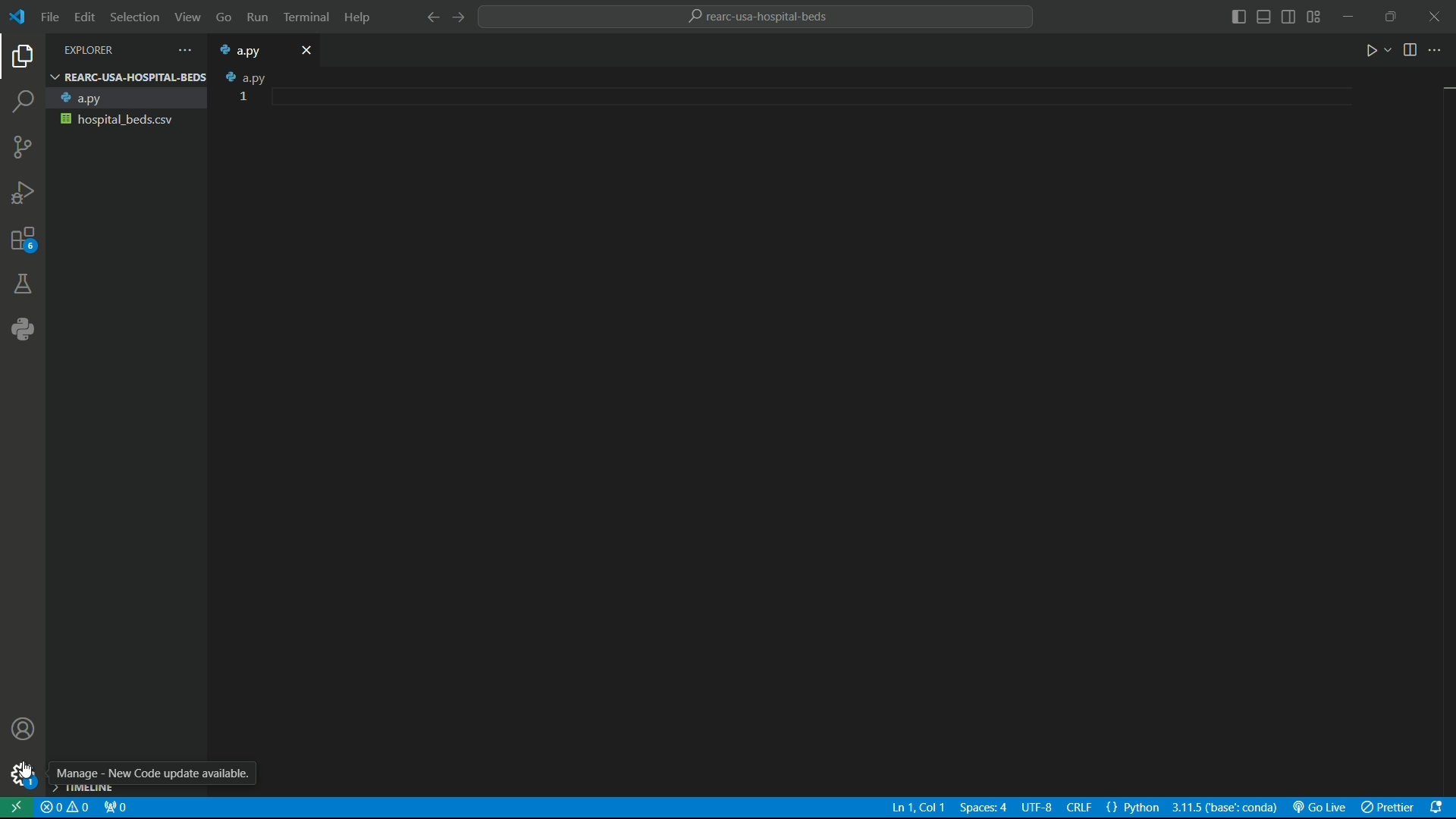  I want to click on no ports forwarded, so click(115, 809).